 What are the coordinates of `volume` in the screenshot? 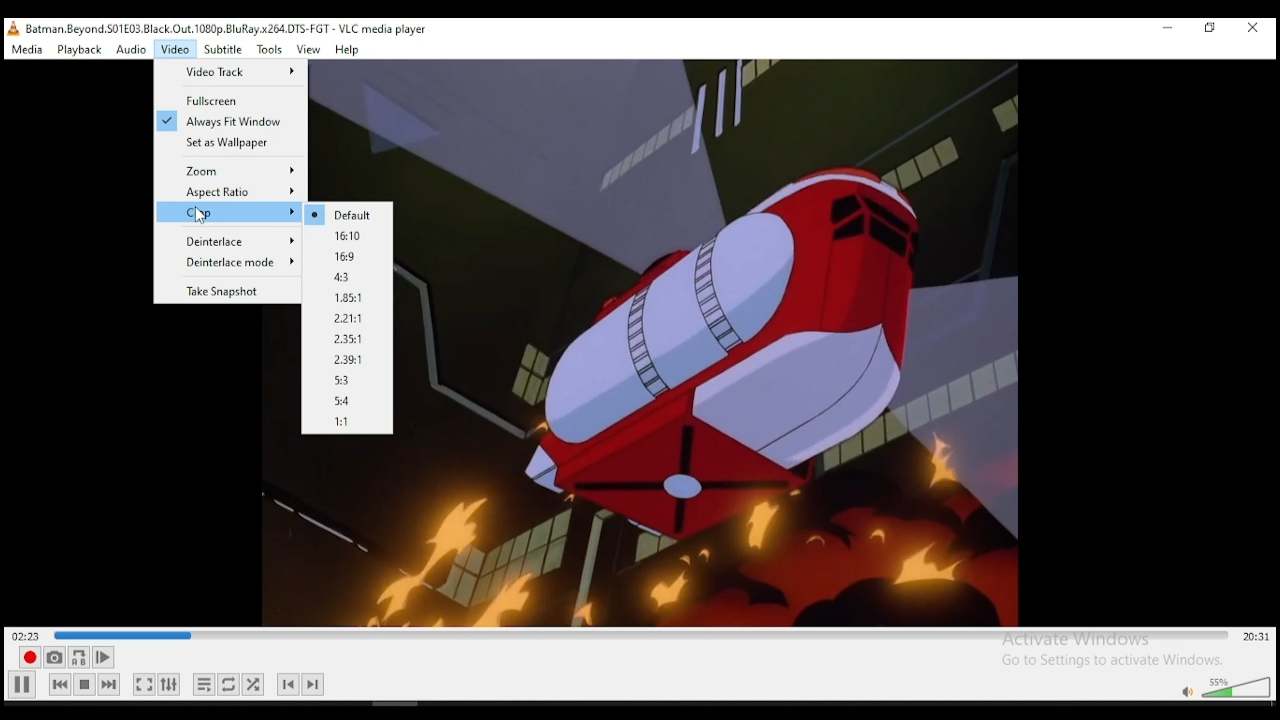 It's located at (1236, 686).